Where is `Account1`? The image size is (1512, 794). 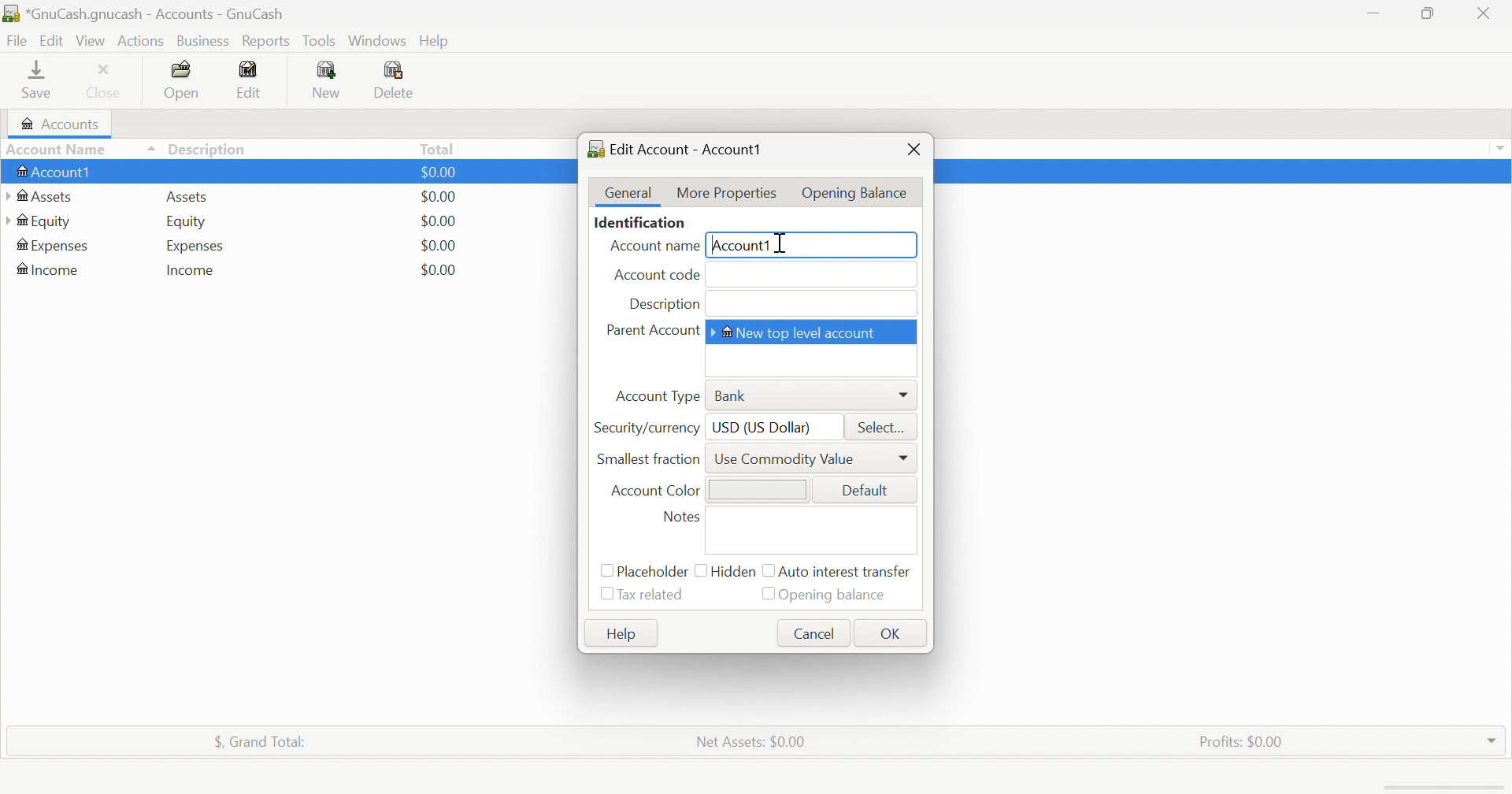
Account1 is located at coordinates (56, 173).